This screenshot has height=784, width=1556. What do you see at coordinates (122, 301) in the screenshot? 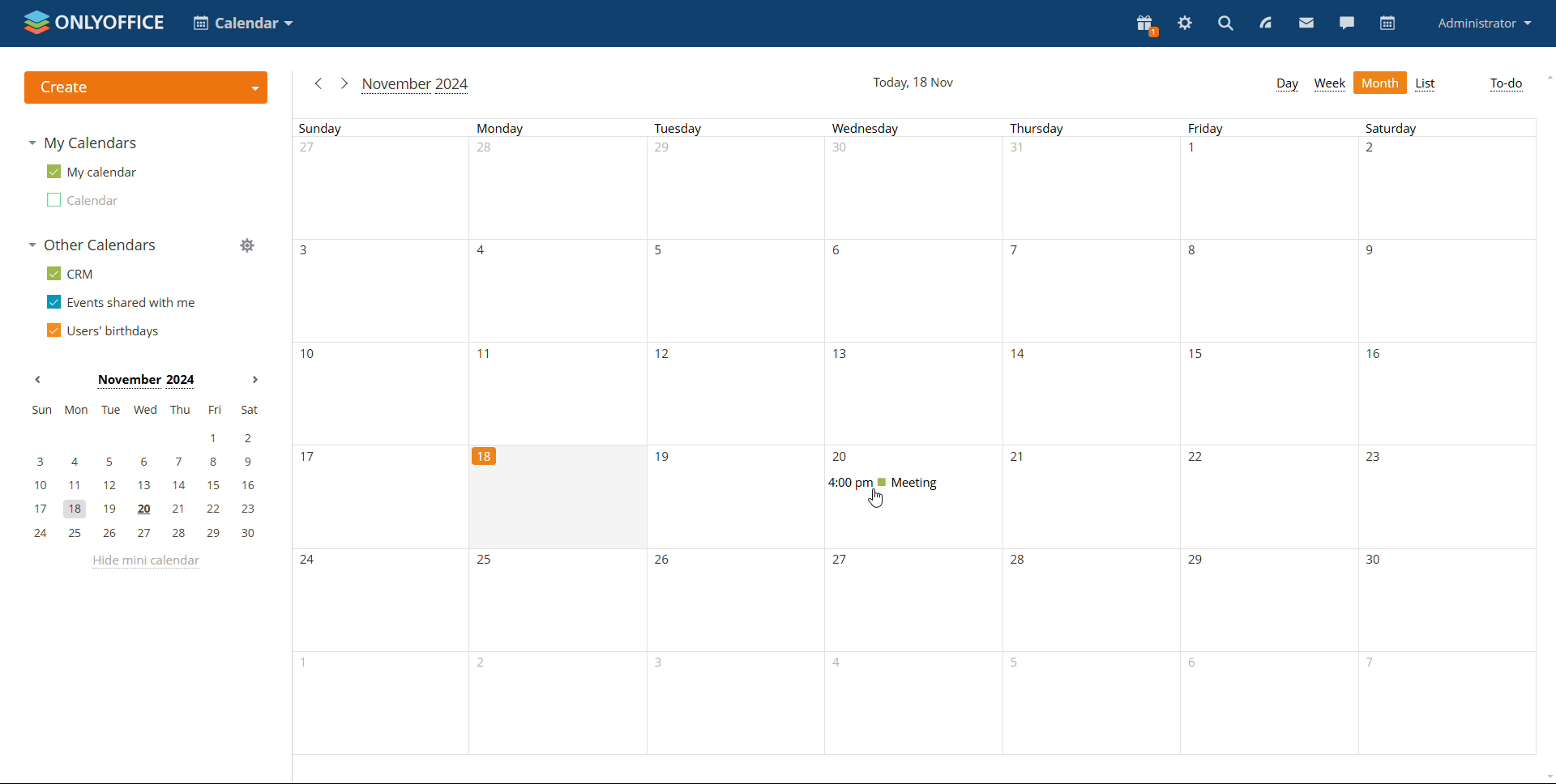
I see `events shared with me` at bounding box center [122, 301].